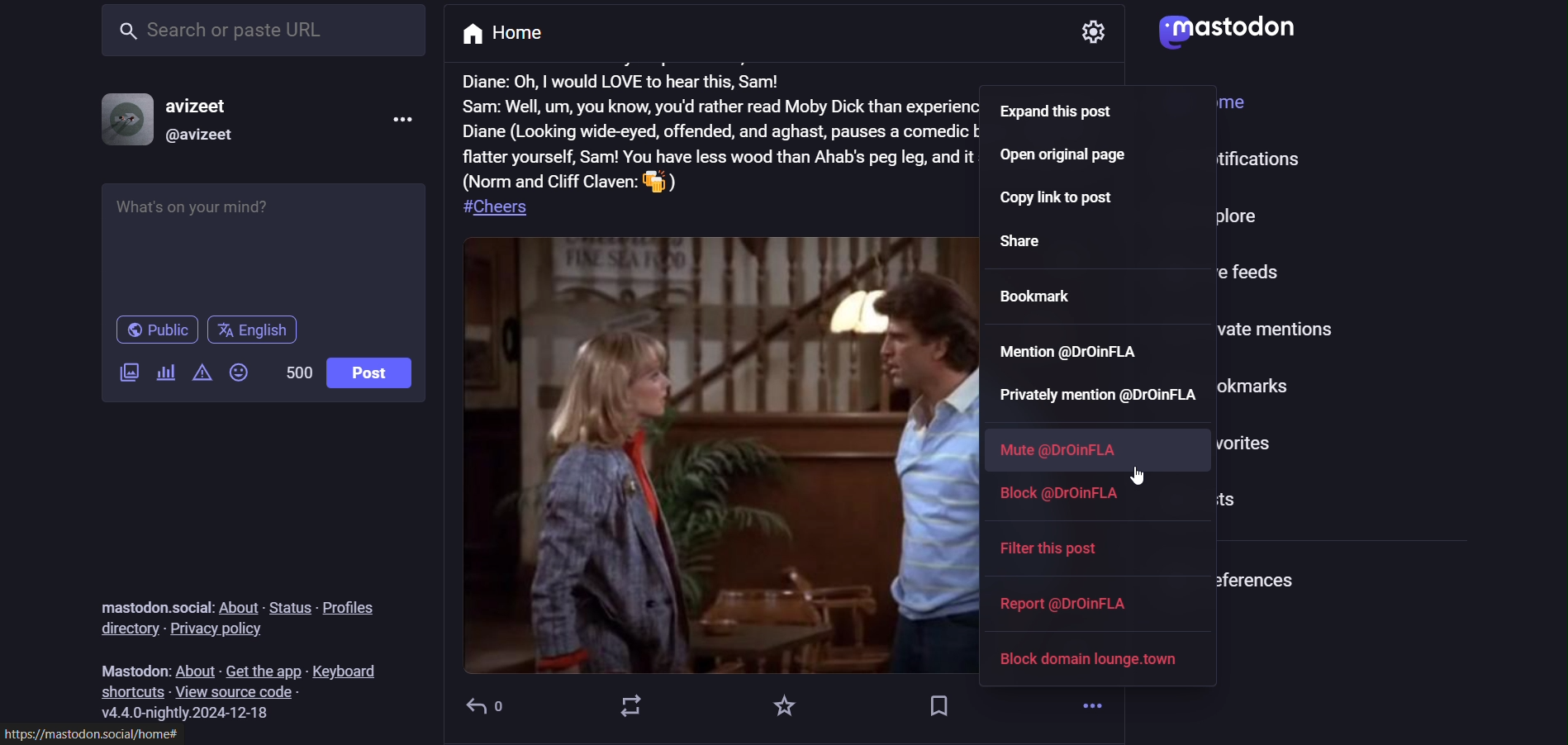 The image size is (1568, 745). Describe the element at coordinates (242, 375) in the screenshot. I see `emojis` at that location.